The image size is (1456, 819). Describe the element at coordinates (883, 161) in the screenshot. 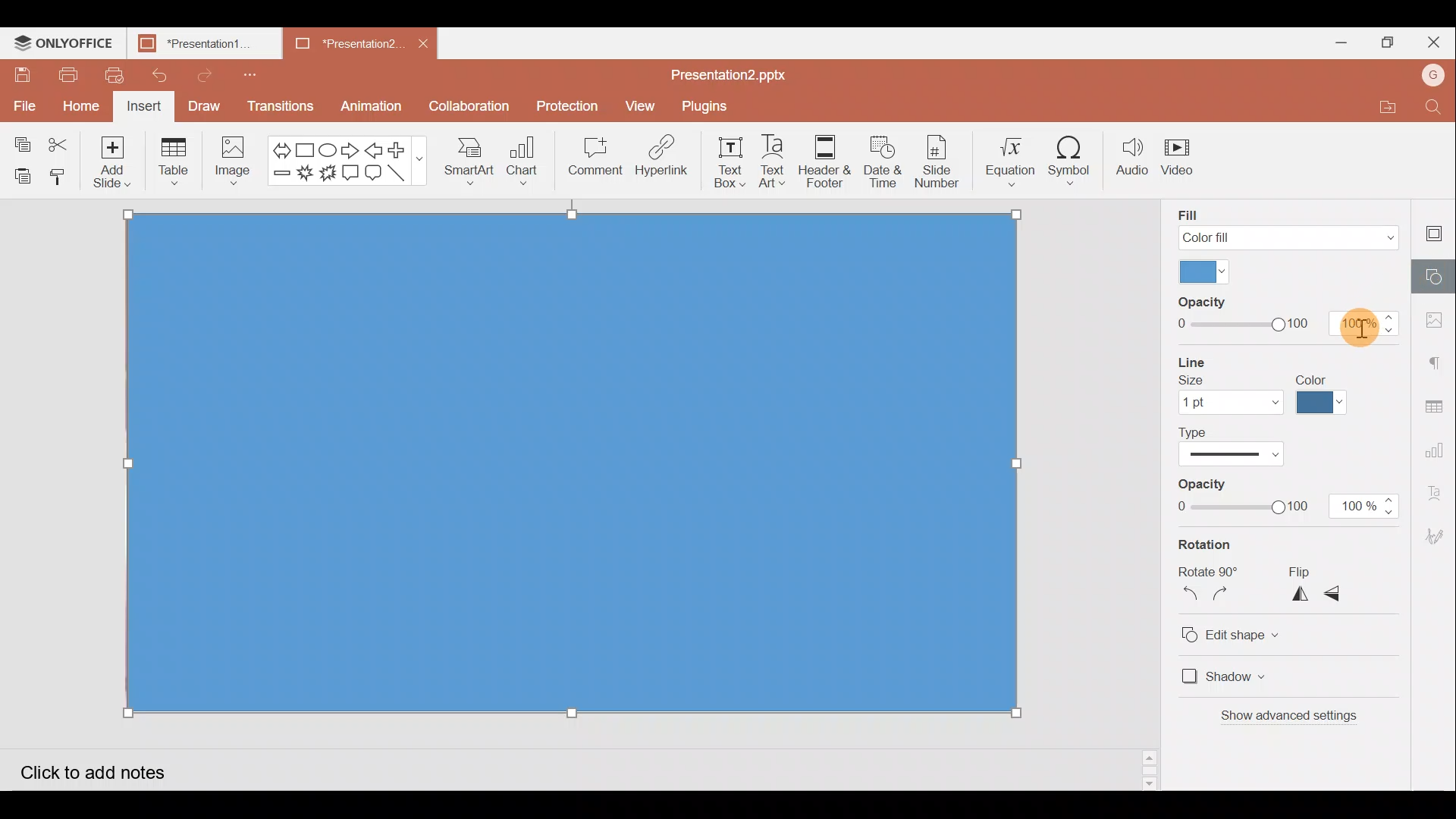

I see `Date & time` at that location.